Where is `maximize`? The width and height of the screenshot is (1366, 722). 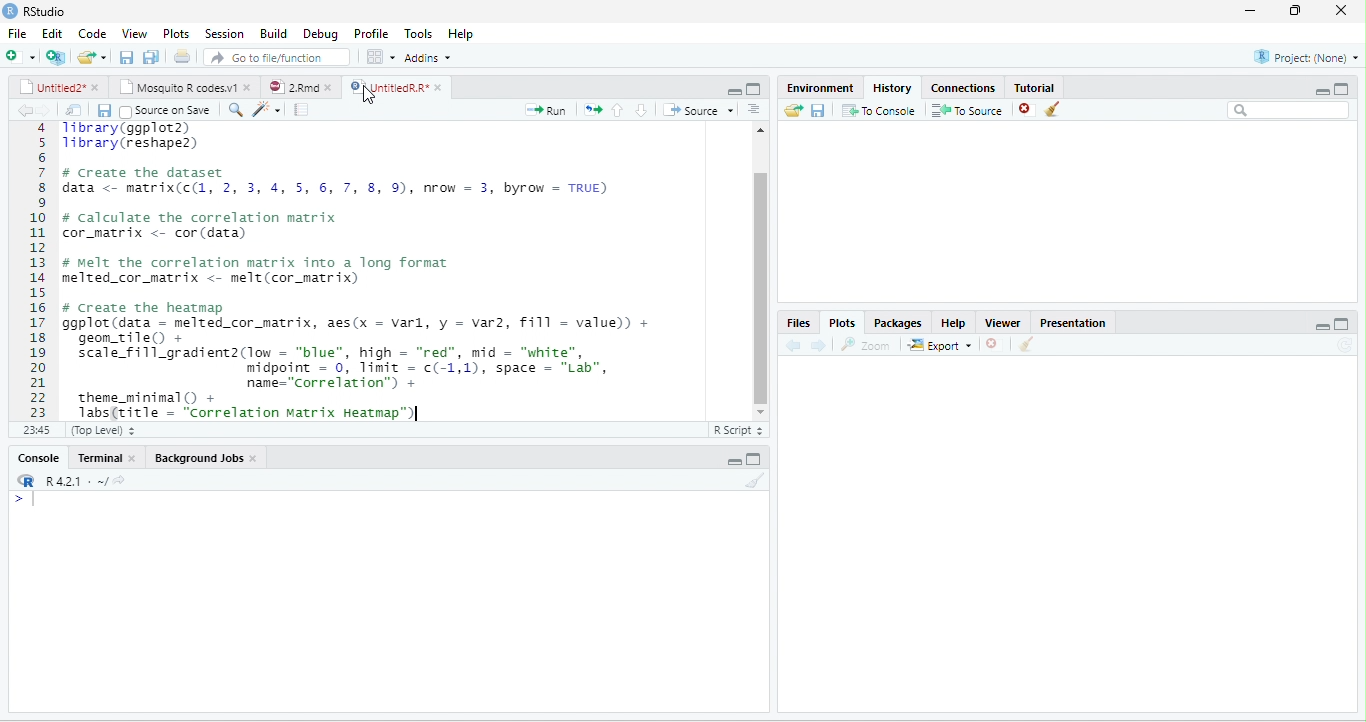
maximize is located at coordinates (753, 89).